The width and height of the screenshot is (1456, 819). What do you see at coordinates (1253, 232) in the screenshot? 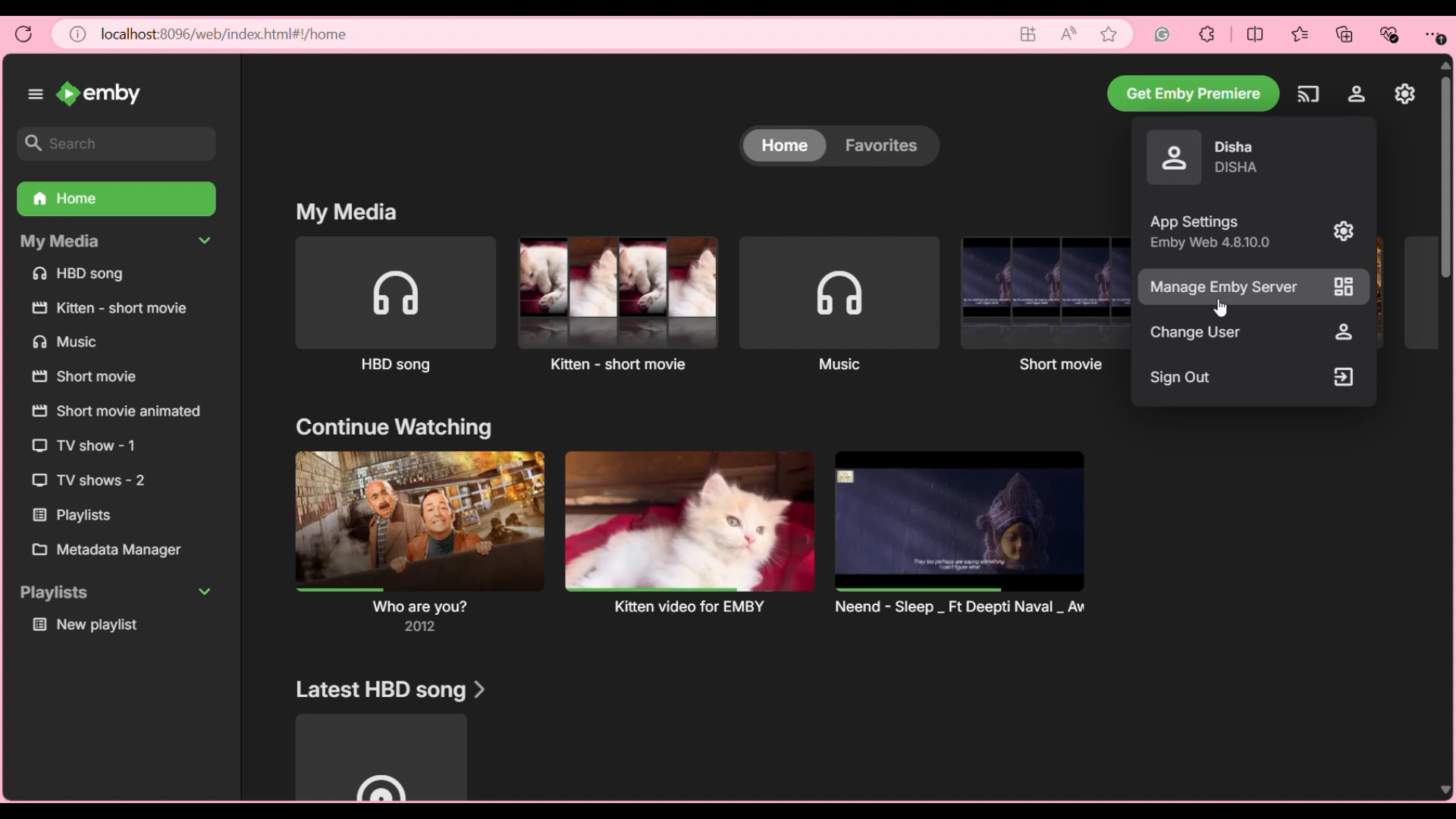
I see `App settings with details of software name and version` at bounding box center [1253, 232].